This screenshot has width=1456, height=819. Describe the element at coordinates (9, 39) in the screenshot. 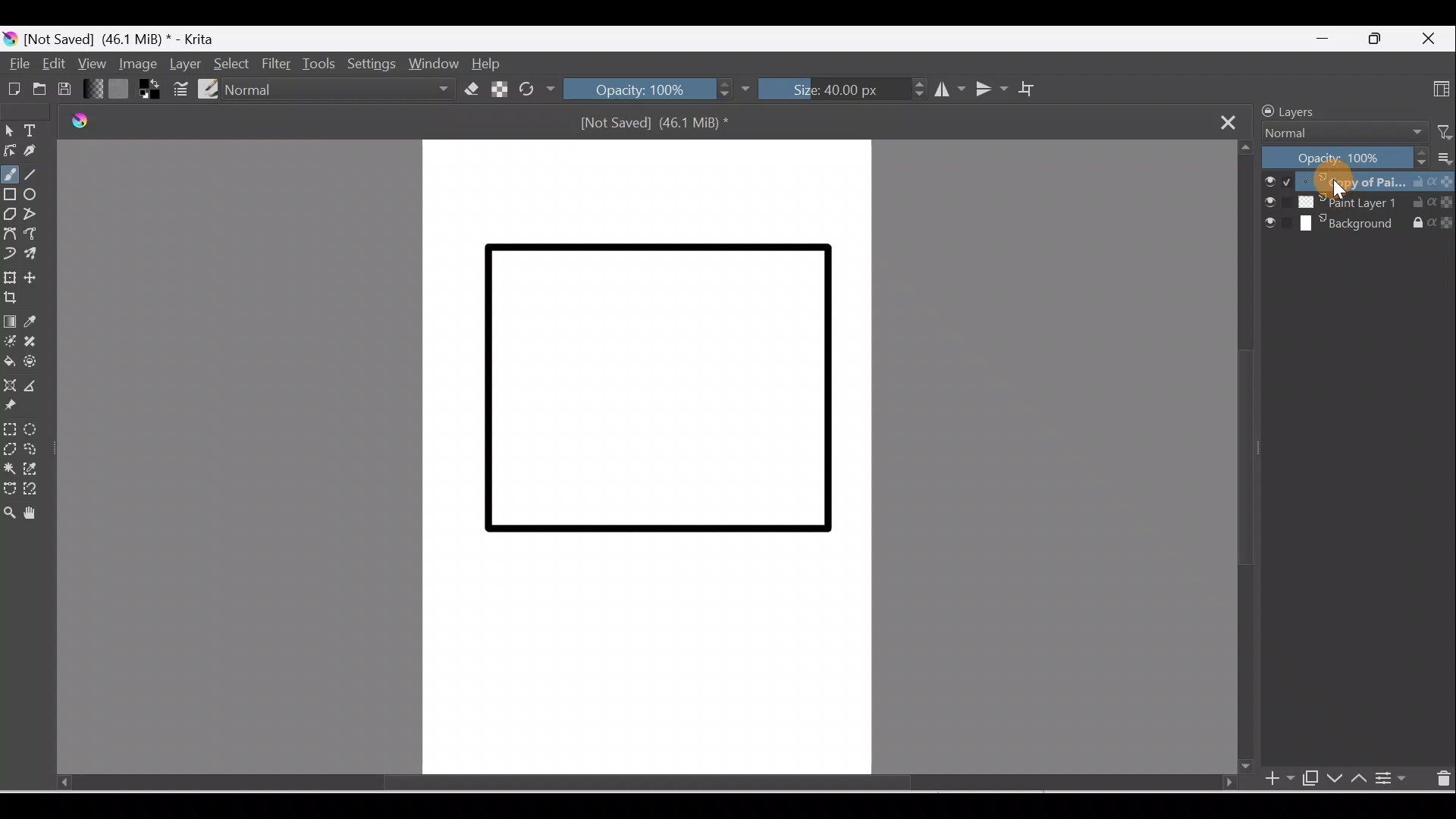

I see `Krita logo` at that location.